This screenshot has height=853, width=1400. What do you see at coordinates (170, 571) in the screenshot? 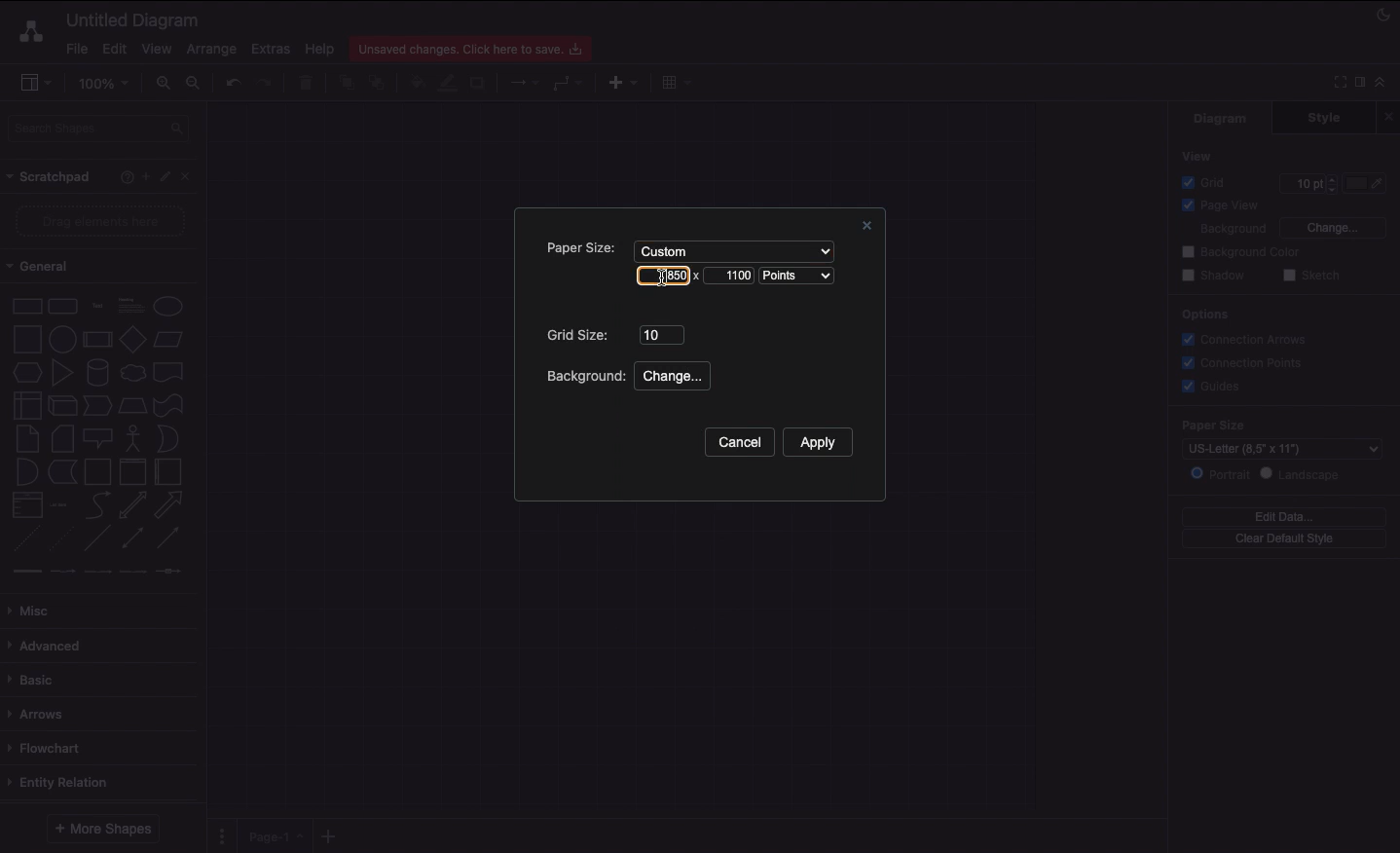
I see `connector 5` at bounding box center [170, 571].